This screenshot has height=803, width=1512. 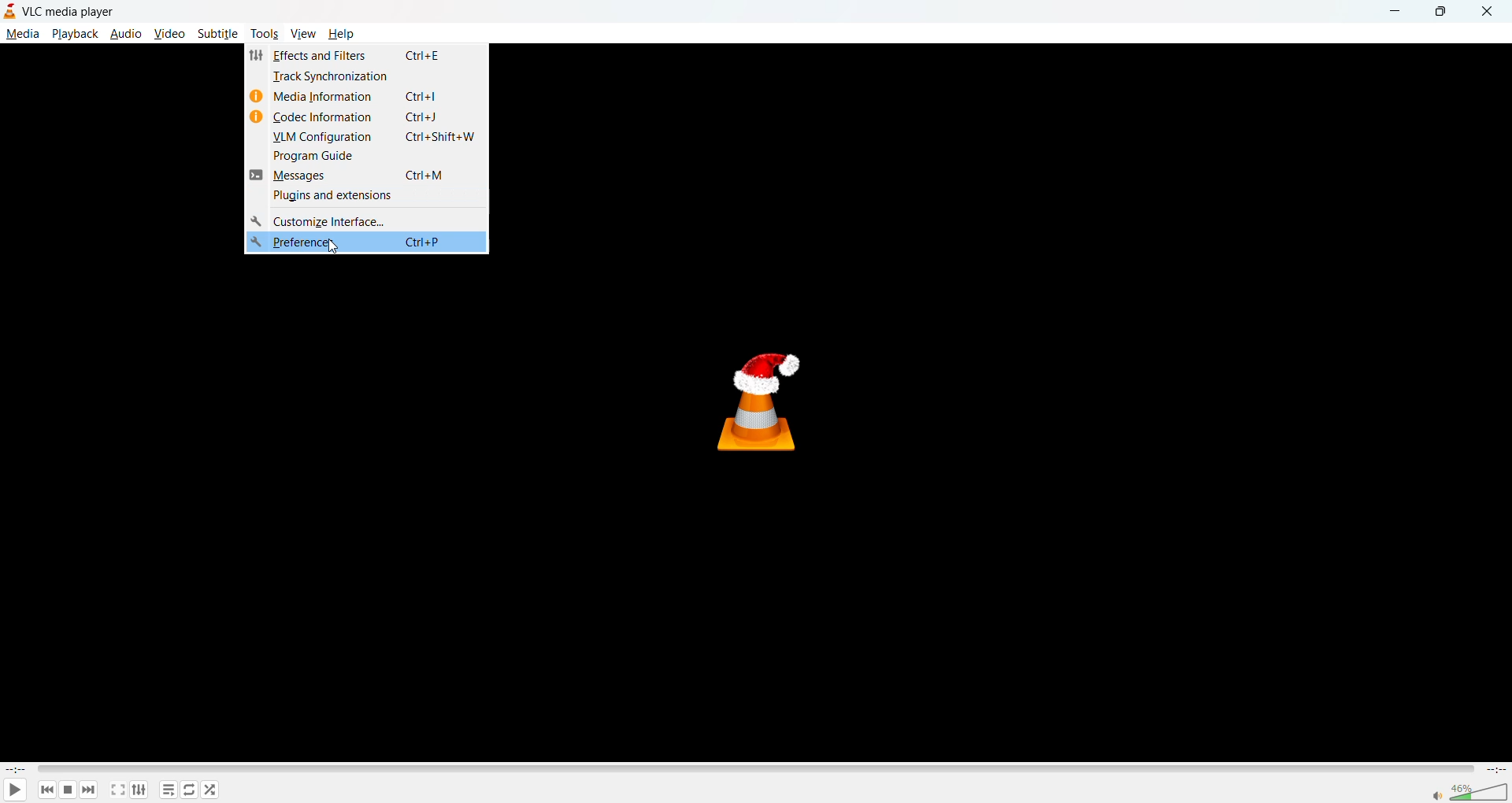 I want to click on media, so click(x=22, y=33).